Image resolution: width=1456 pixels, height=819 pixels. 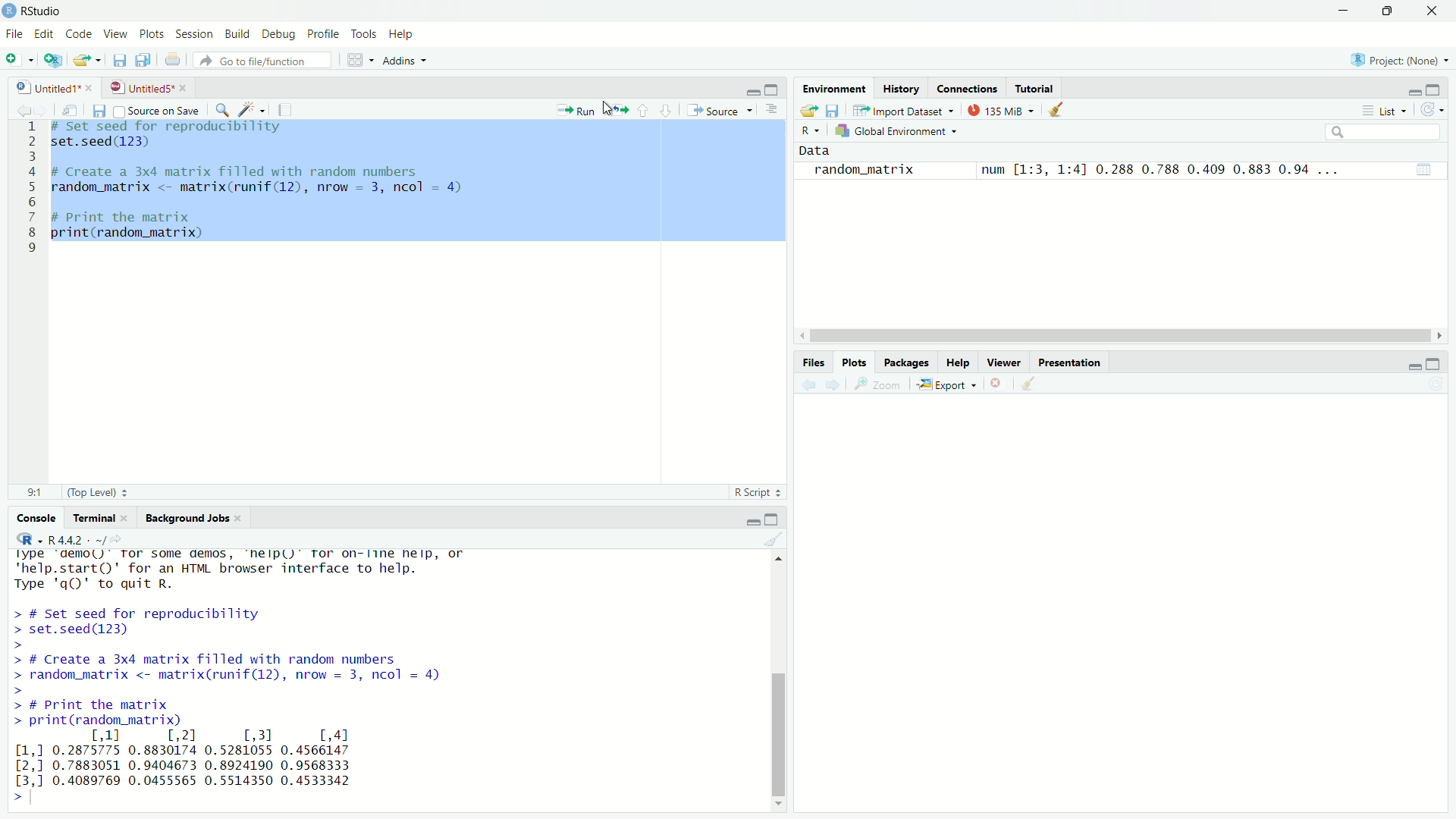 I want to click on minimise, so click(x=748, y=519).